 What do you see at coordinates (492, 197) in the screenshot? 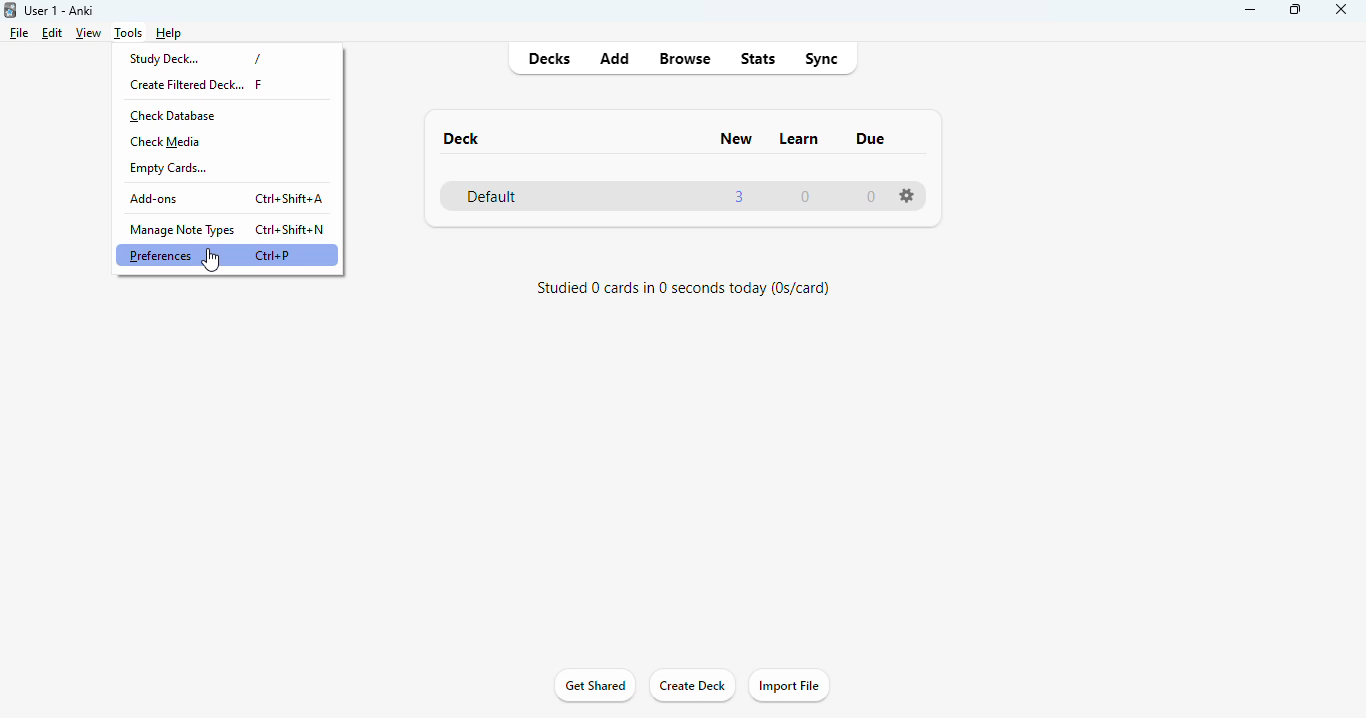
I see `default` at bounding box center [492, 197].